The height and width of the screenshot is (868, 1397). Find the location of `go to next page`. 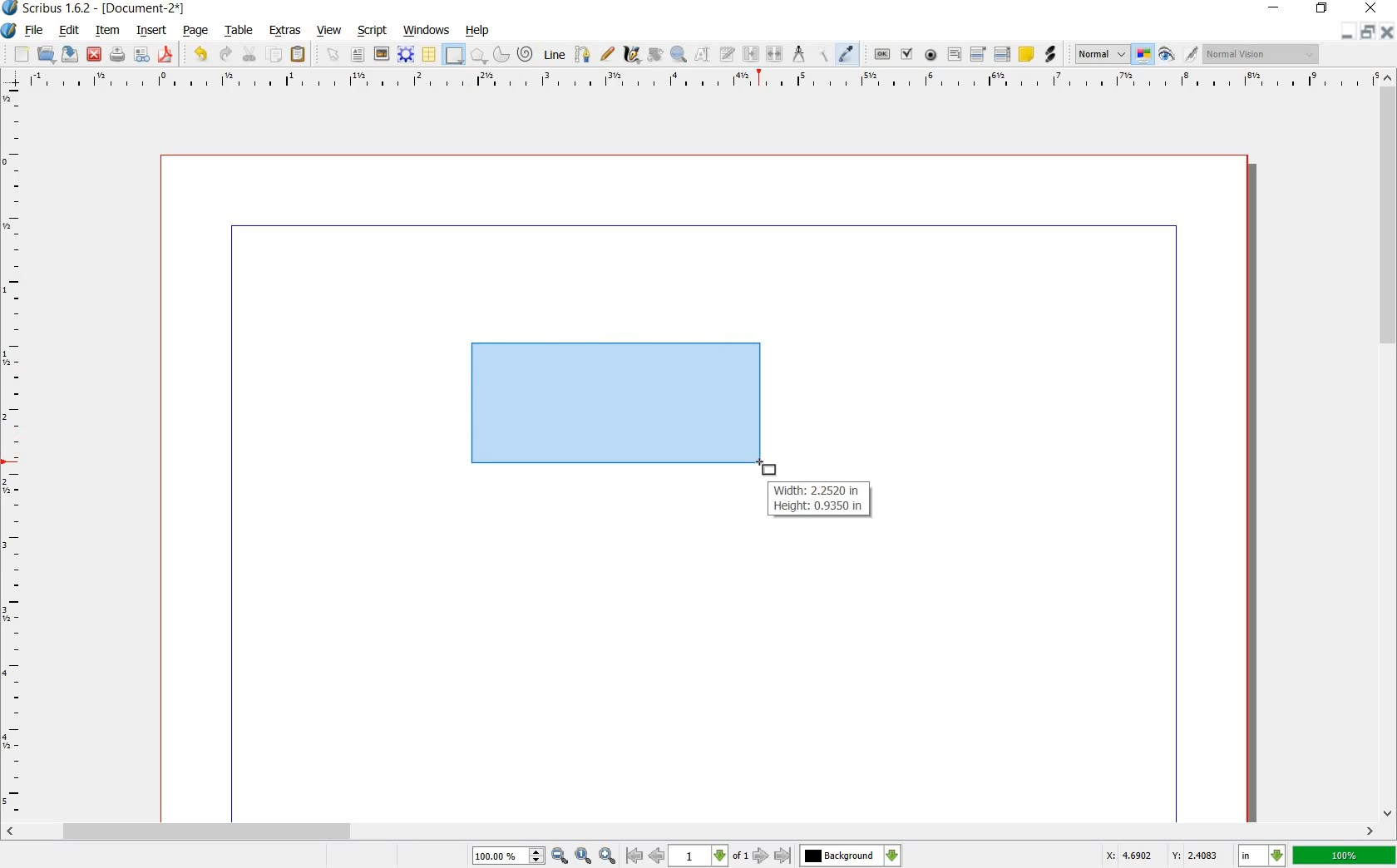

go to next page is located at coordinates (763, 856).